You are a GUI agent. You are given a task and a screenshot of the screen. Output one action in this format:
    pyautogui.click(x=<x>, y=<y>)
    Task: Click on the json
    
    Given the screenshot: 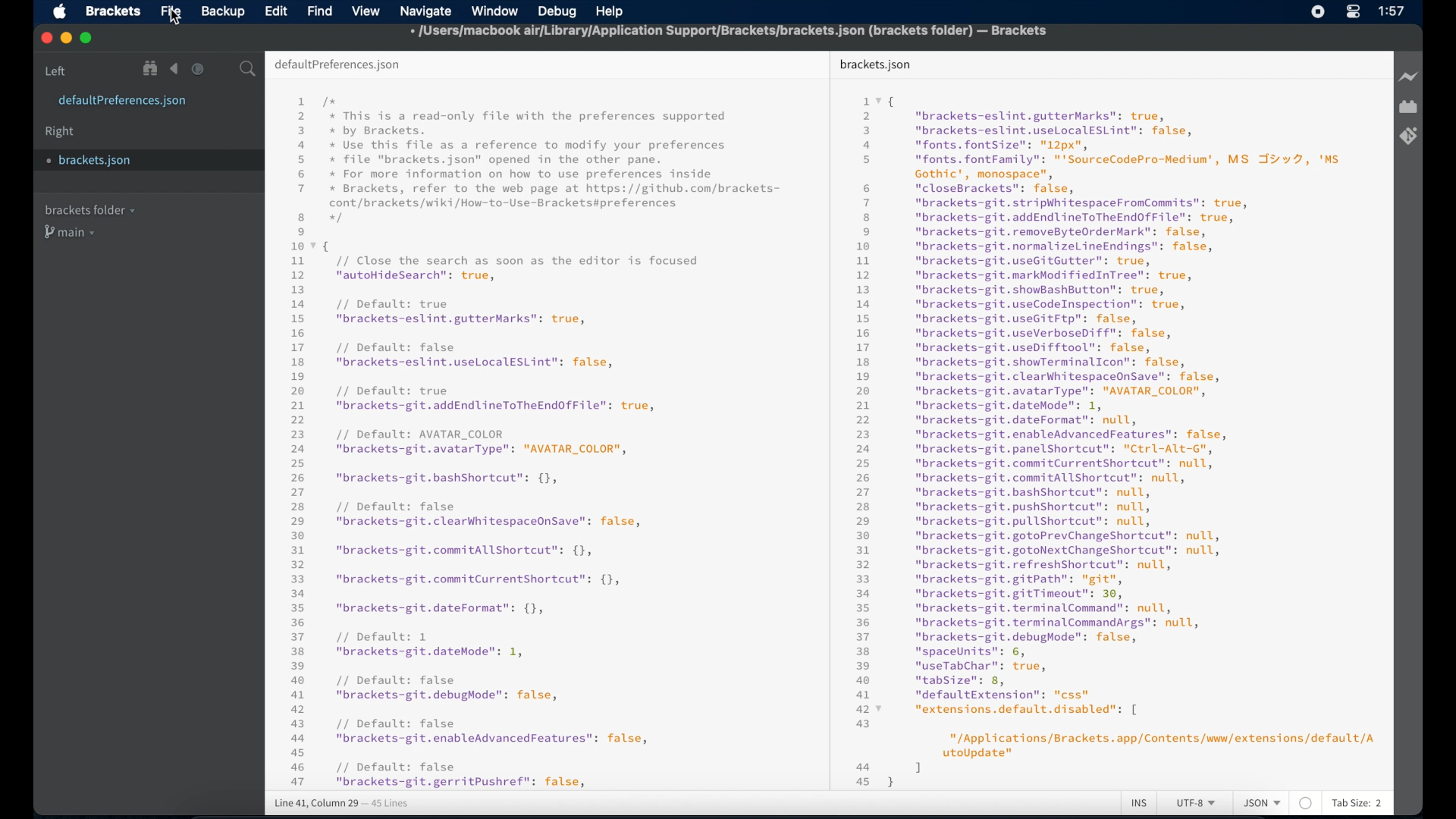 What is the action you would take?
    pyautogui.click(x=1262, y=804)
    